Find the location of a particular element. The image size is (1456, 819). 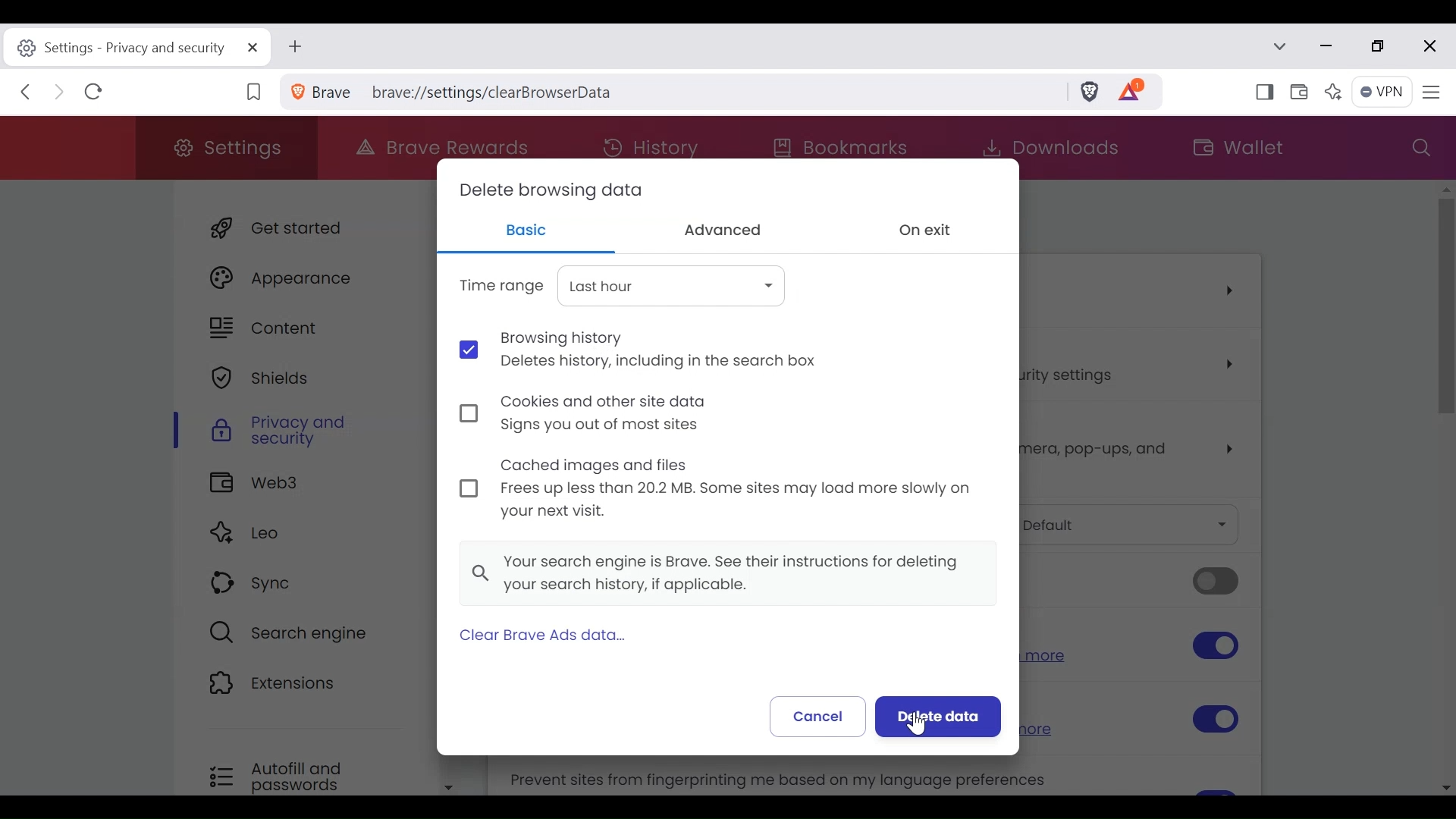

Delete browsing data is located at coordinates (553, 190).